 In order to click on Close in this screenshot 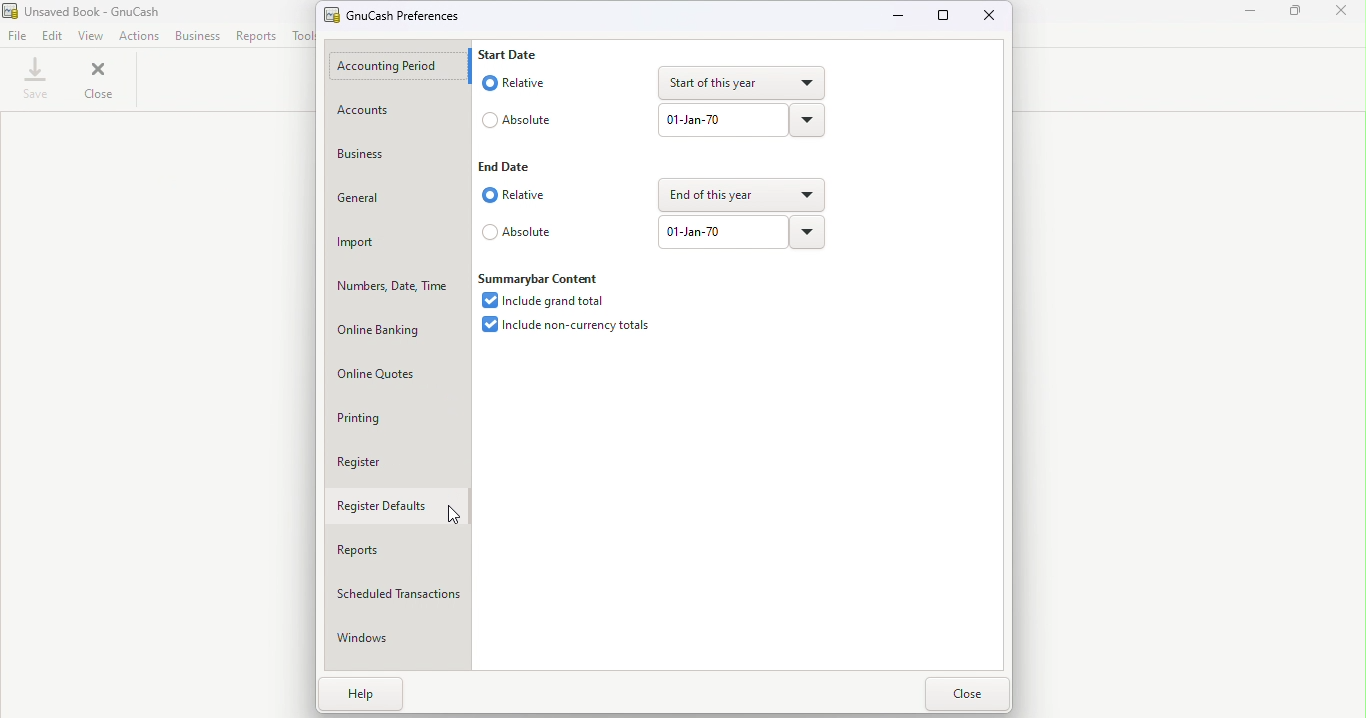, I will do `click(94, 82)`.